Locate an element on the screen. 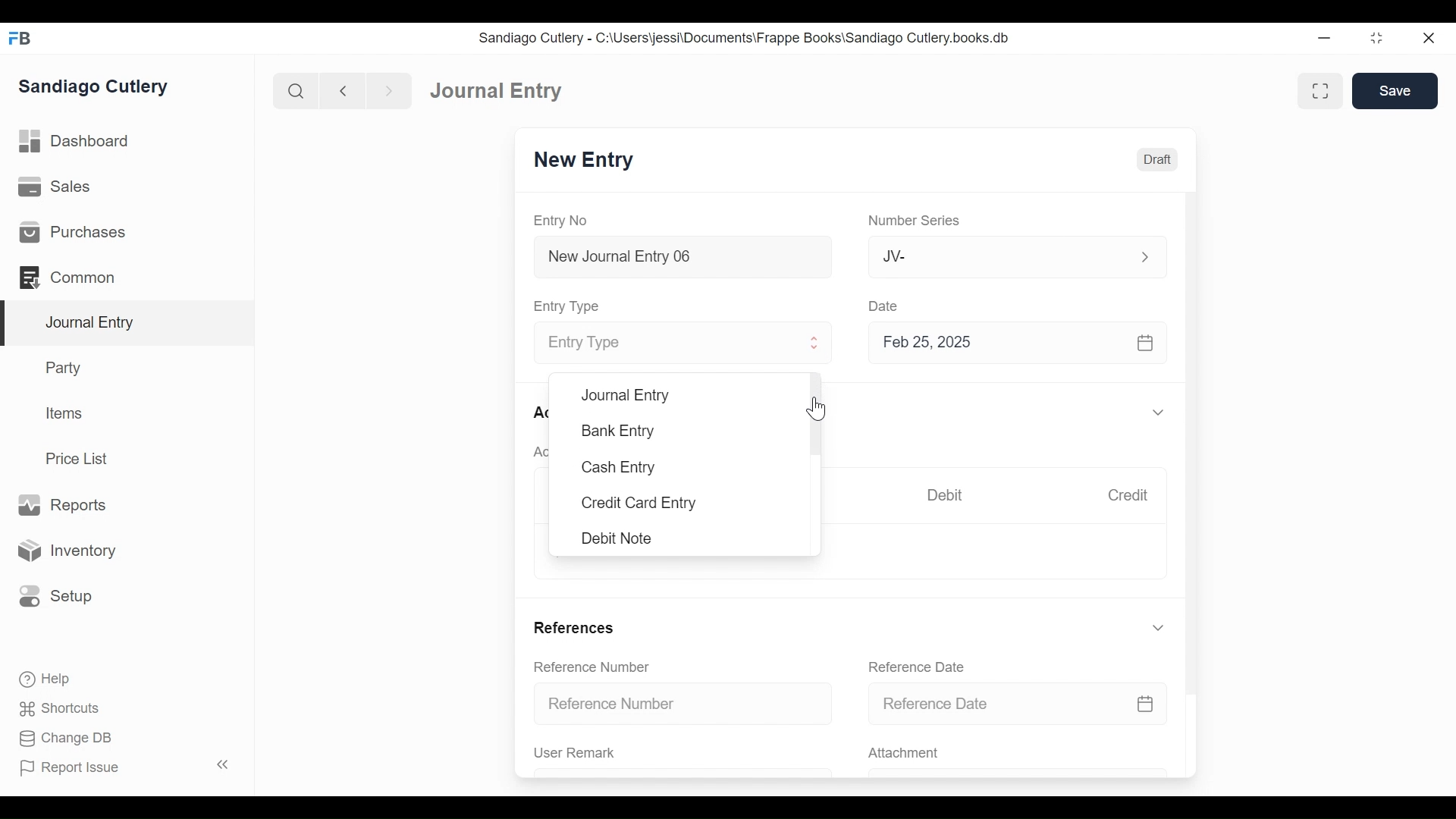 The image size is (1456, 819). Journal Entry is located at coordinates (128, 324).